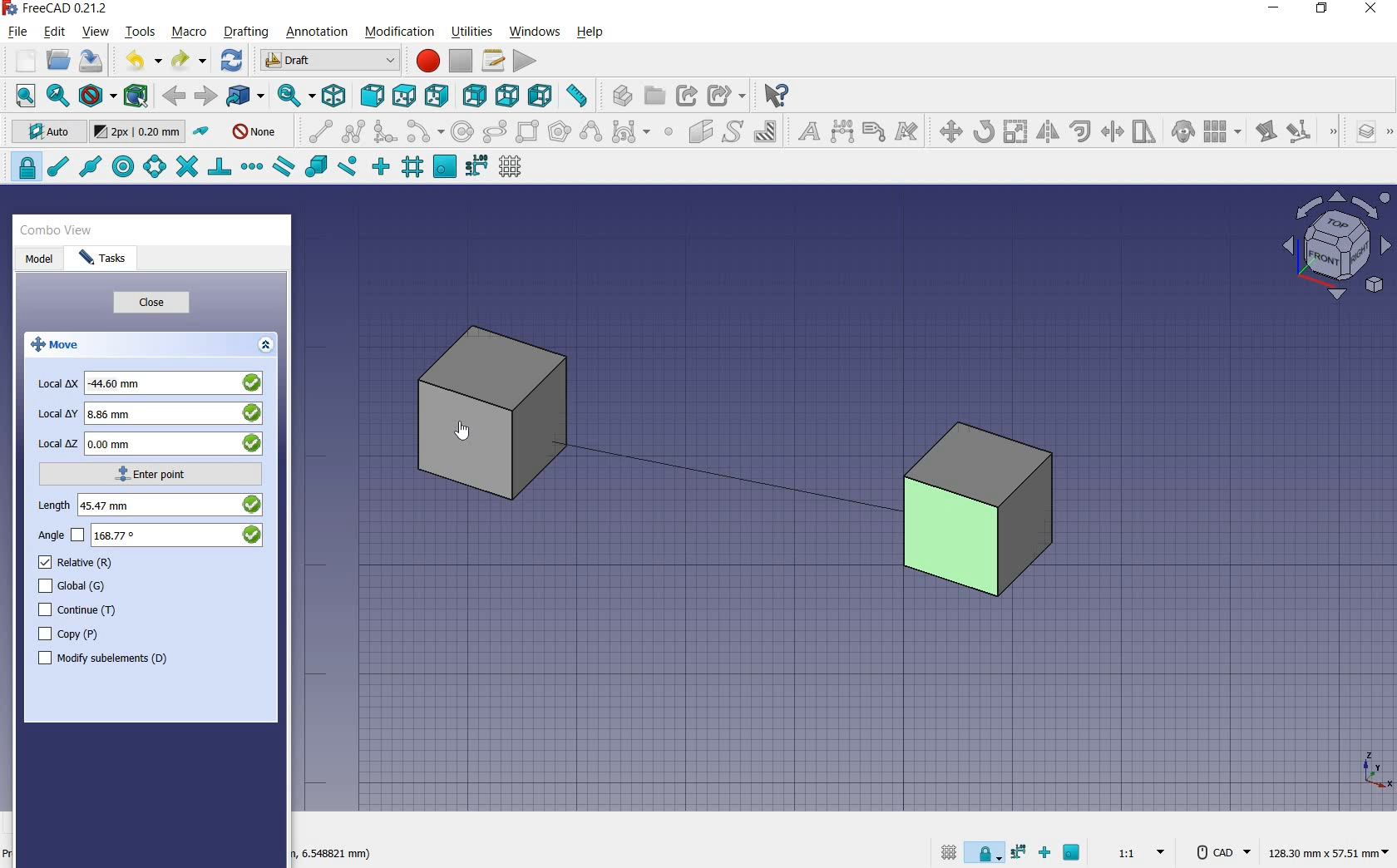  Describe the element at coordinates (949, 854) in the screenshot. I see `toggle grid` at that location.